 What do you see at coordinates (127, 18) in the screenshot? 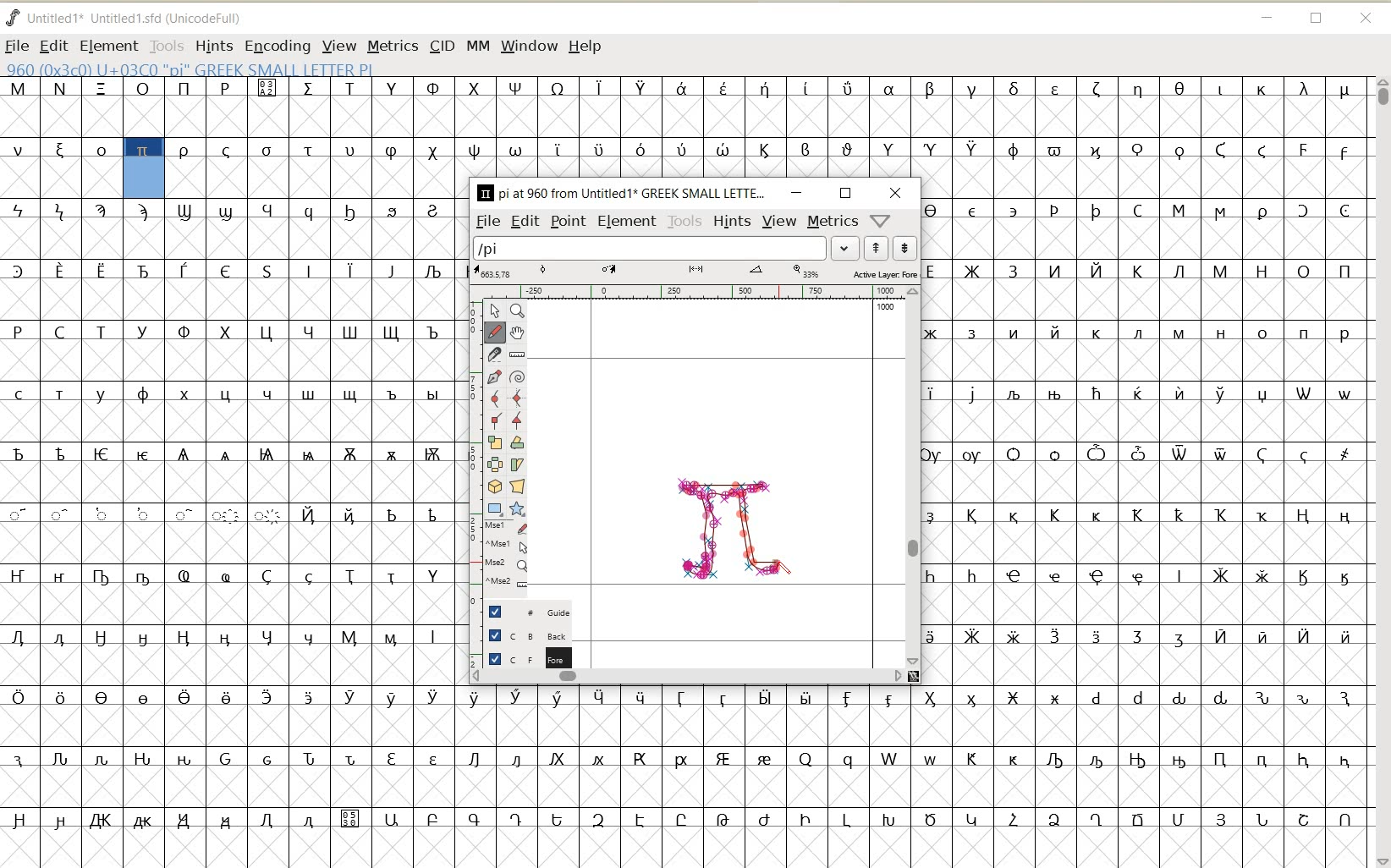
I see `FONT NAME` at bounding box center [127, 18].